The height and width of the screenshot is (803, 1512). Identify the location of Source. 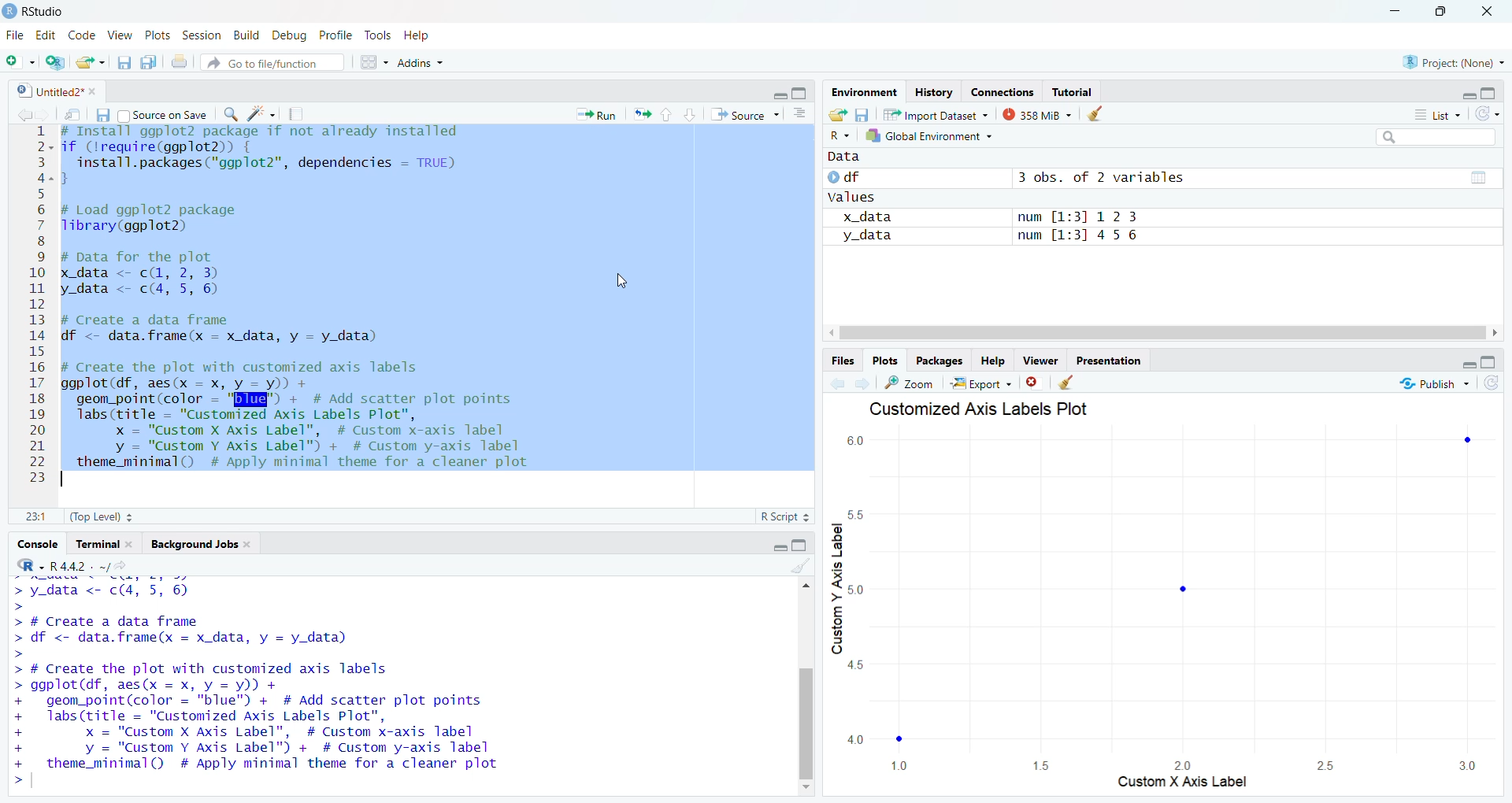
(740, 115).